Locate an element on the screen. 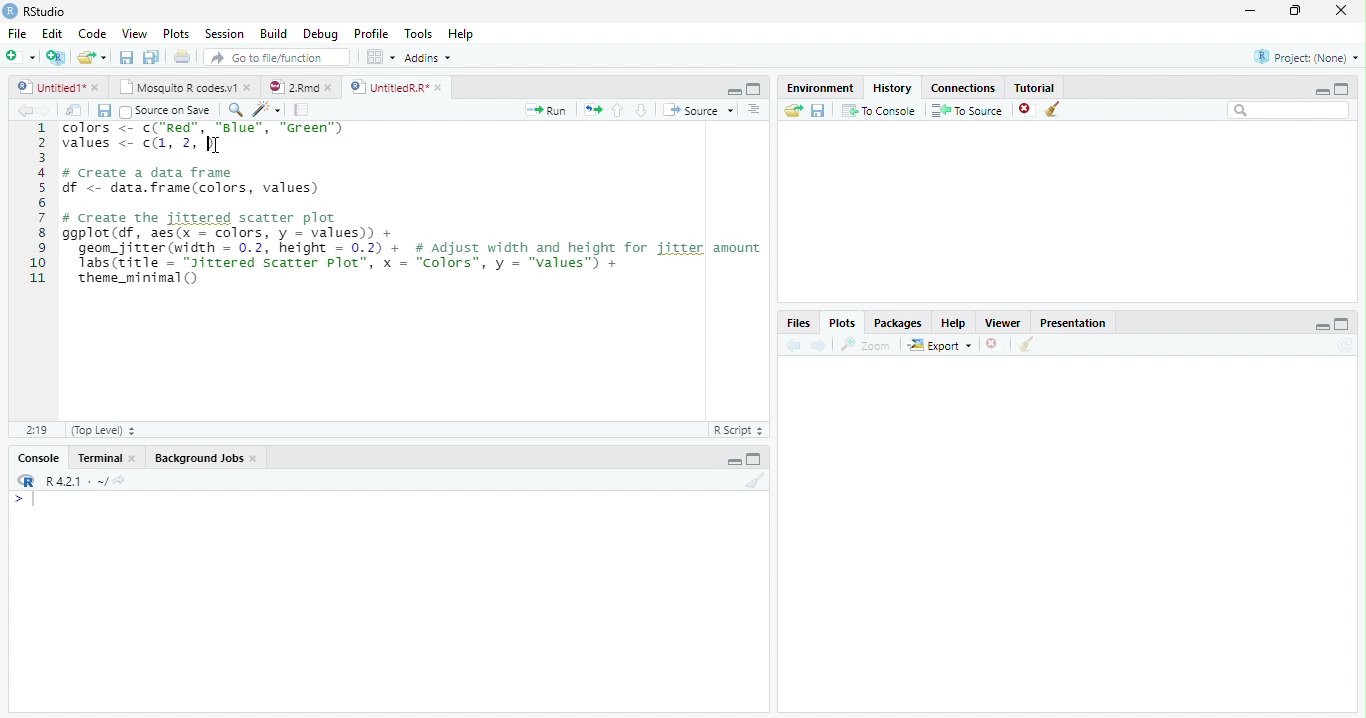 The width and height of the screenshot is (1366, 718). Minimize is located at coordinates (1321, 91).